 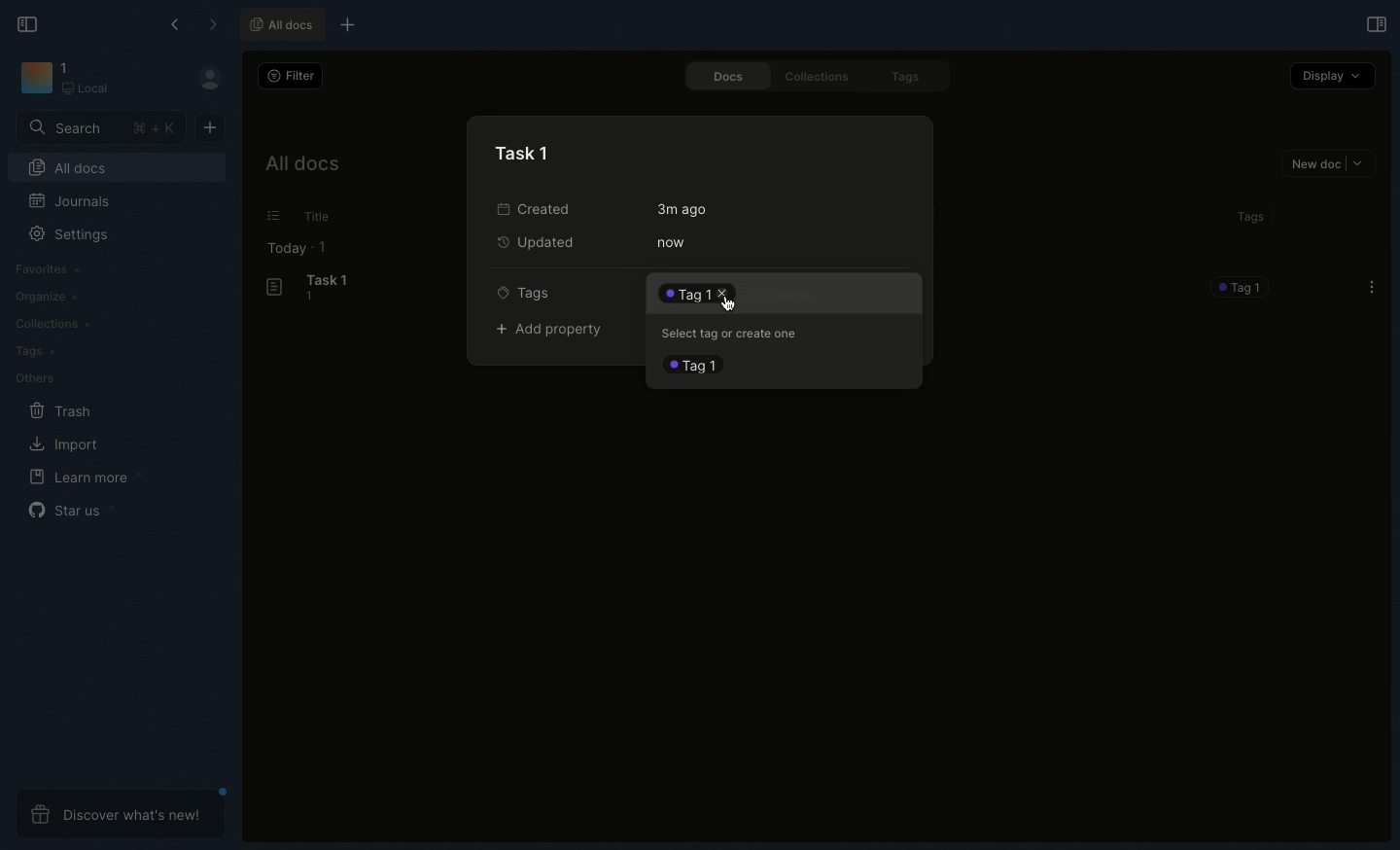 What do you see at coordinates (819, 77) in the screenshot?
I see `Collections` at bounding box center [819, 77].